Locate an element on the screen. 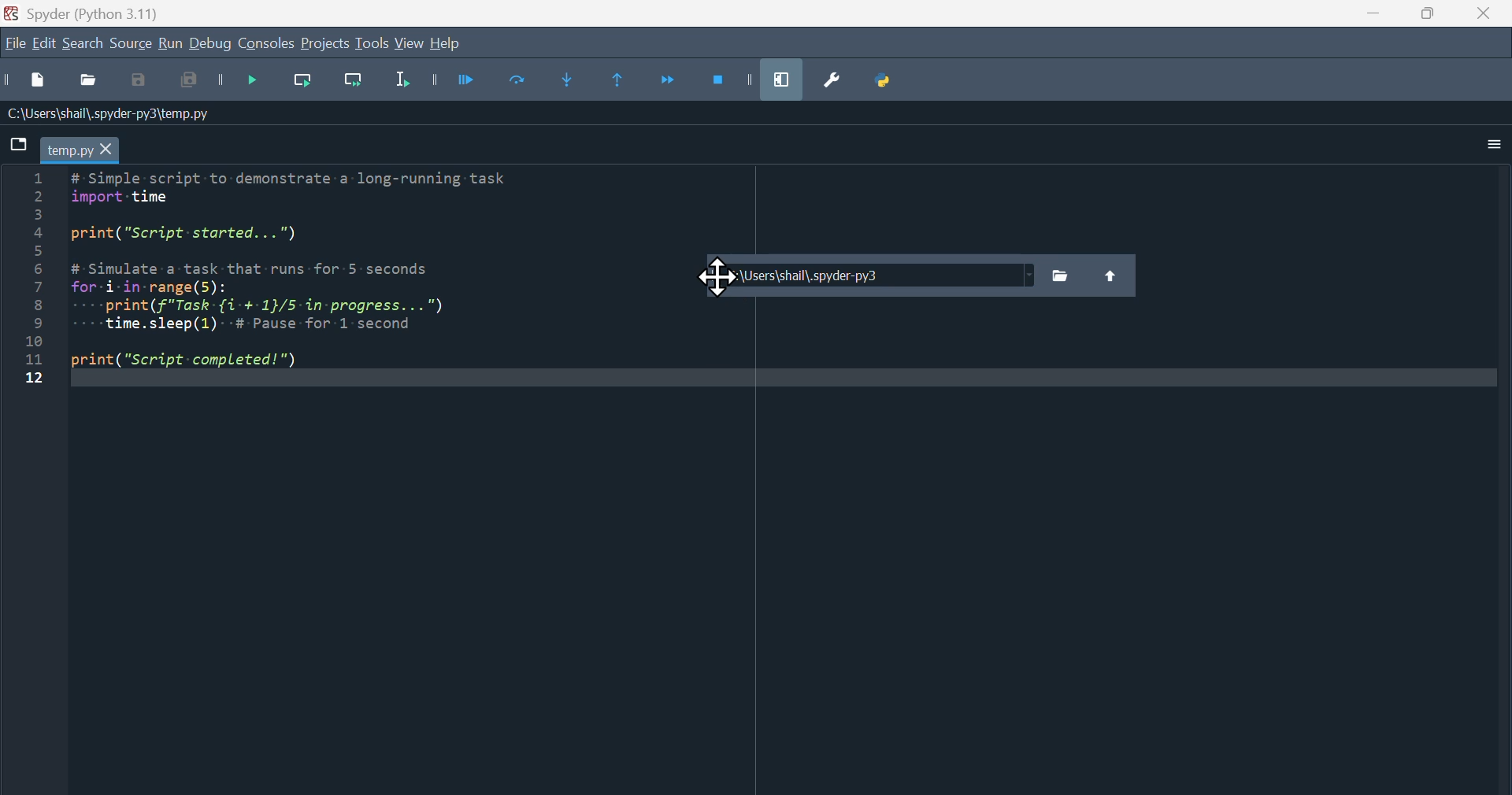 This screenshot has height=795, width=1512. Projects is located at coordinates (322, 43).